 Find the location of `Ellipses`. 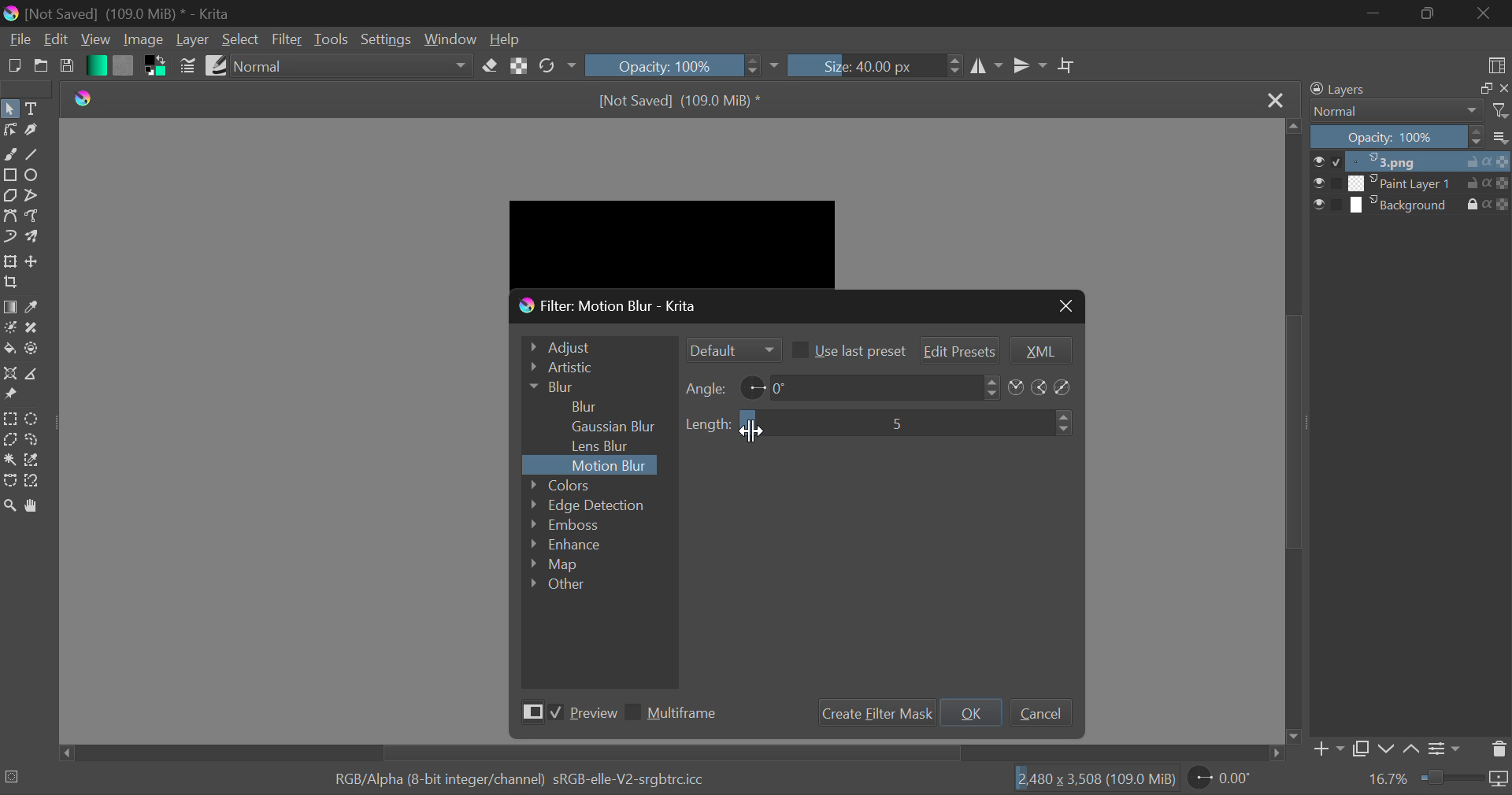

Ellipses is located at coordinates (34, 176).